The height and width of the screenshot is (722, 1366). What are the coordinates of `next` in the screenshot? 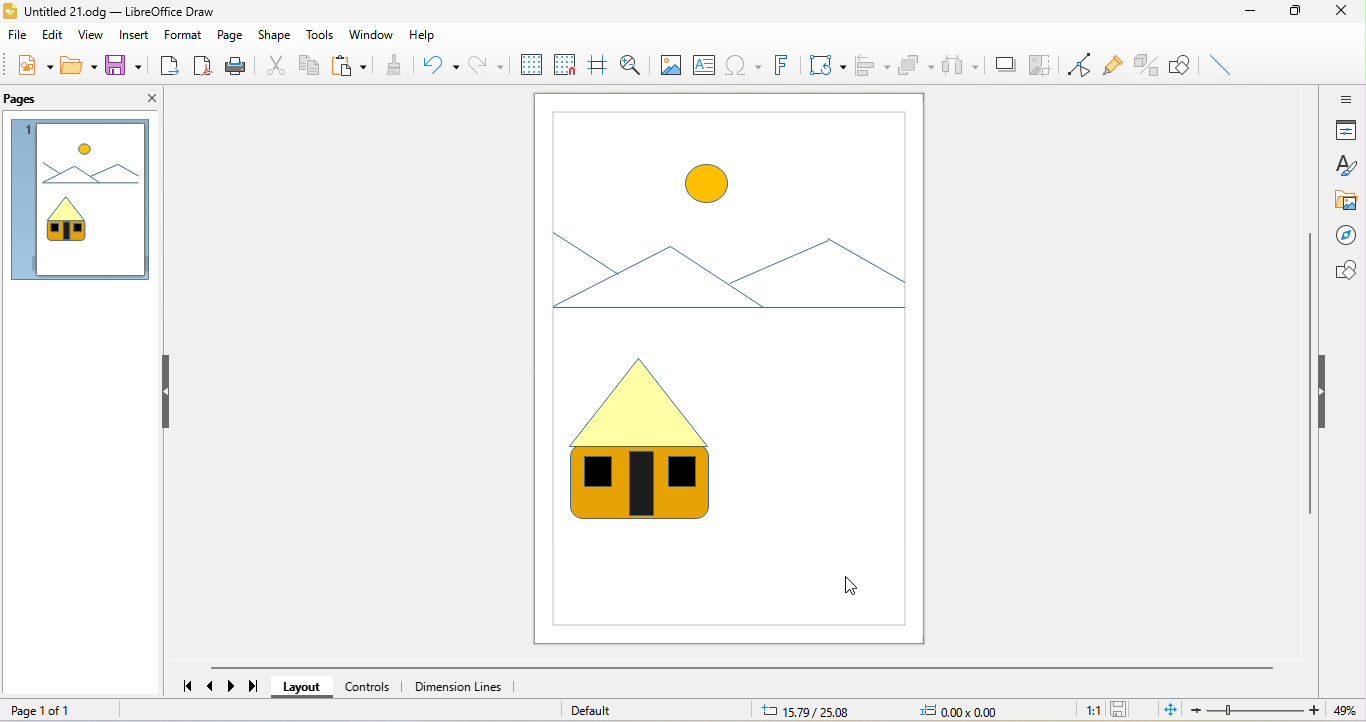 It's located at (233, 686).